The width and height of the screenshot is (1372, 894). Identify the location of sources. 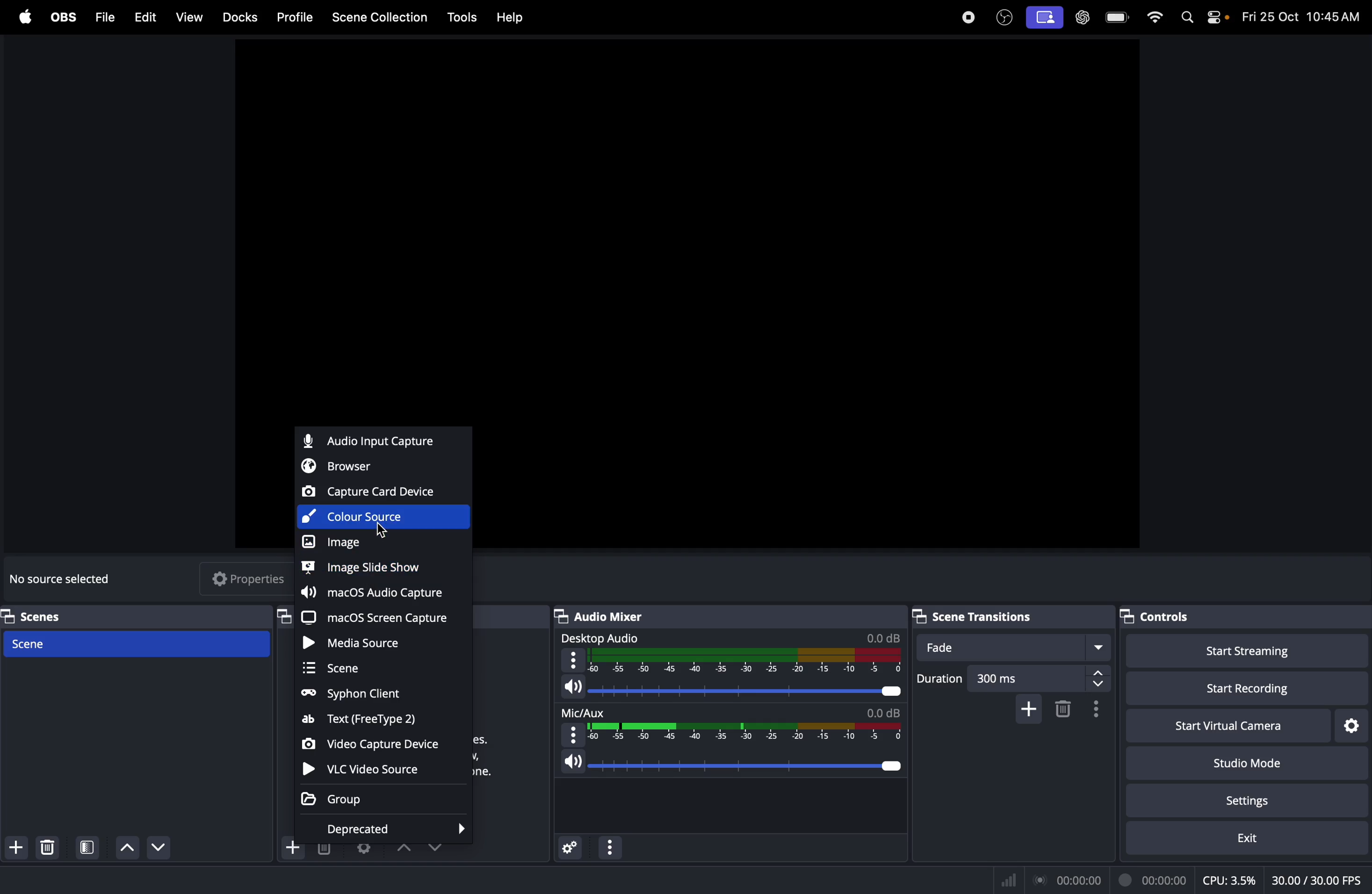
(284, 614).